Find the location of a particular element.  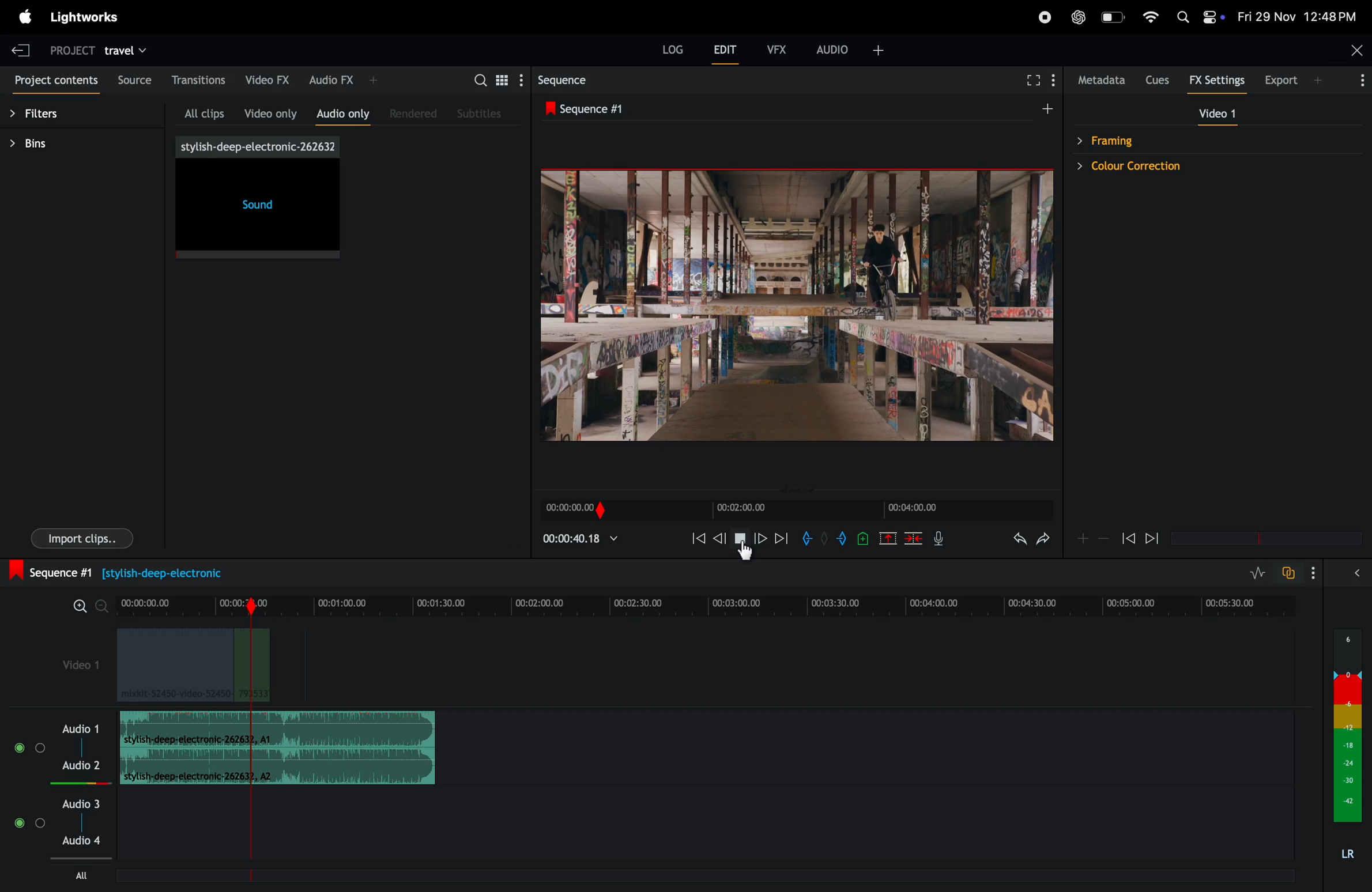

edit is located at coordinates (726, 52).